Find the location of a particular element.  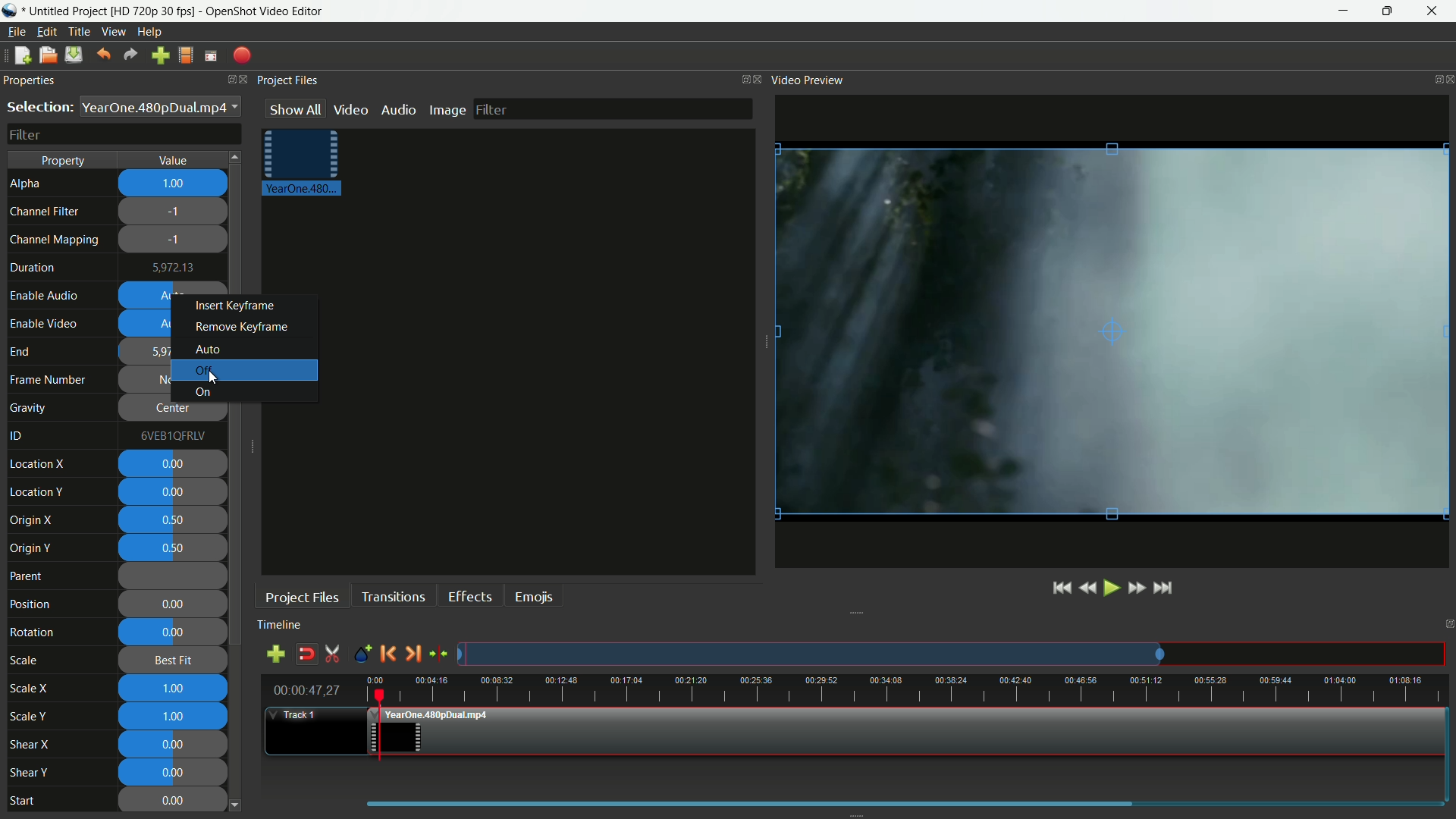

center the timeline on the playhead is located at coordinates (439, 650).